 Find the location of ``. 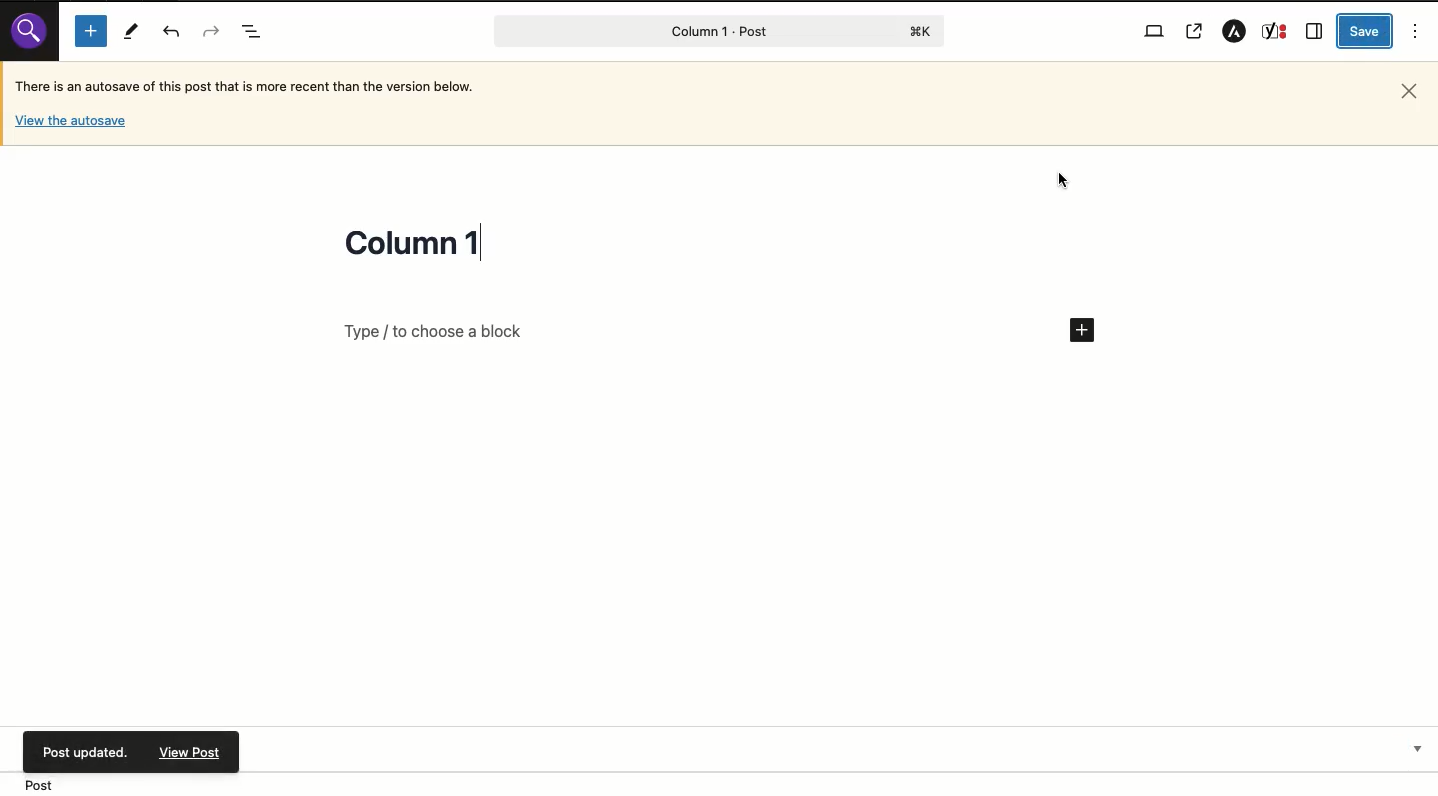

 is located at coordinates (31, 31).